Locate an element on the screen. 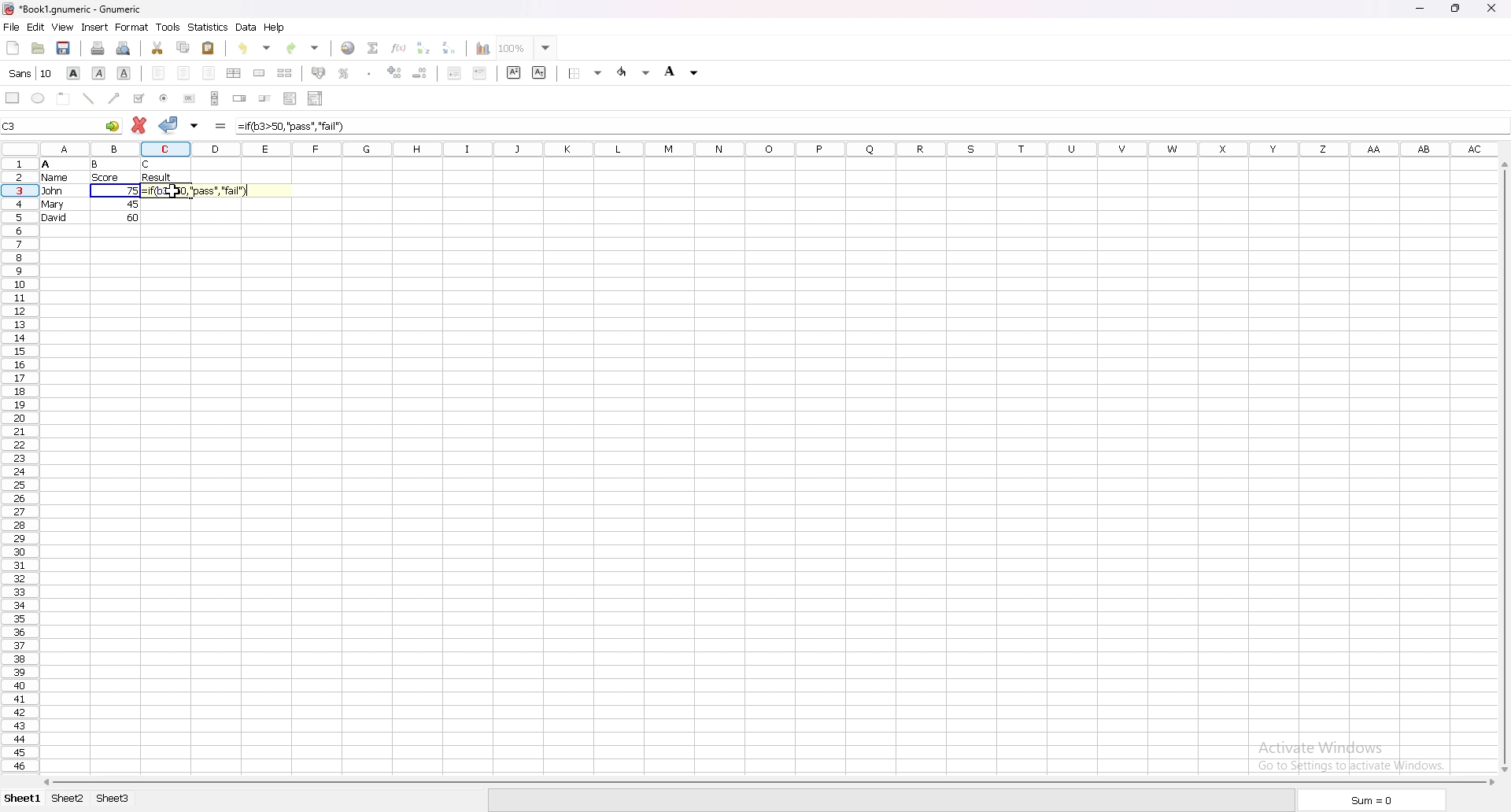 The width and height of the screenshot is (1511, 812). bold is located at coordinates (74, 73).